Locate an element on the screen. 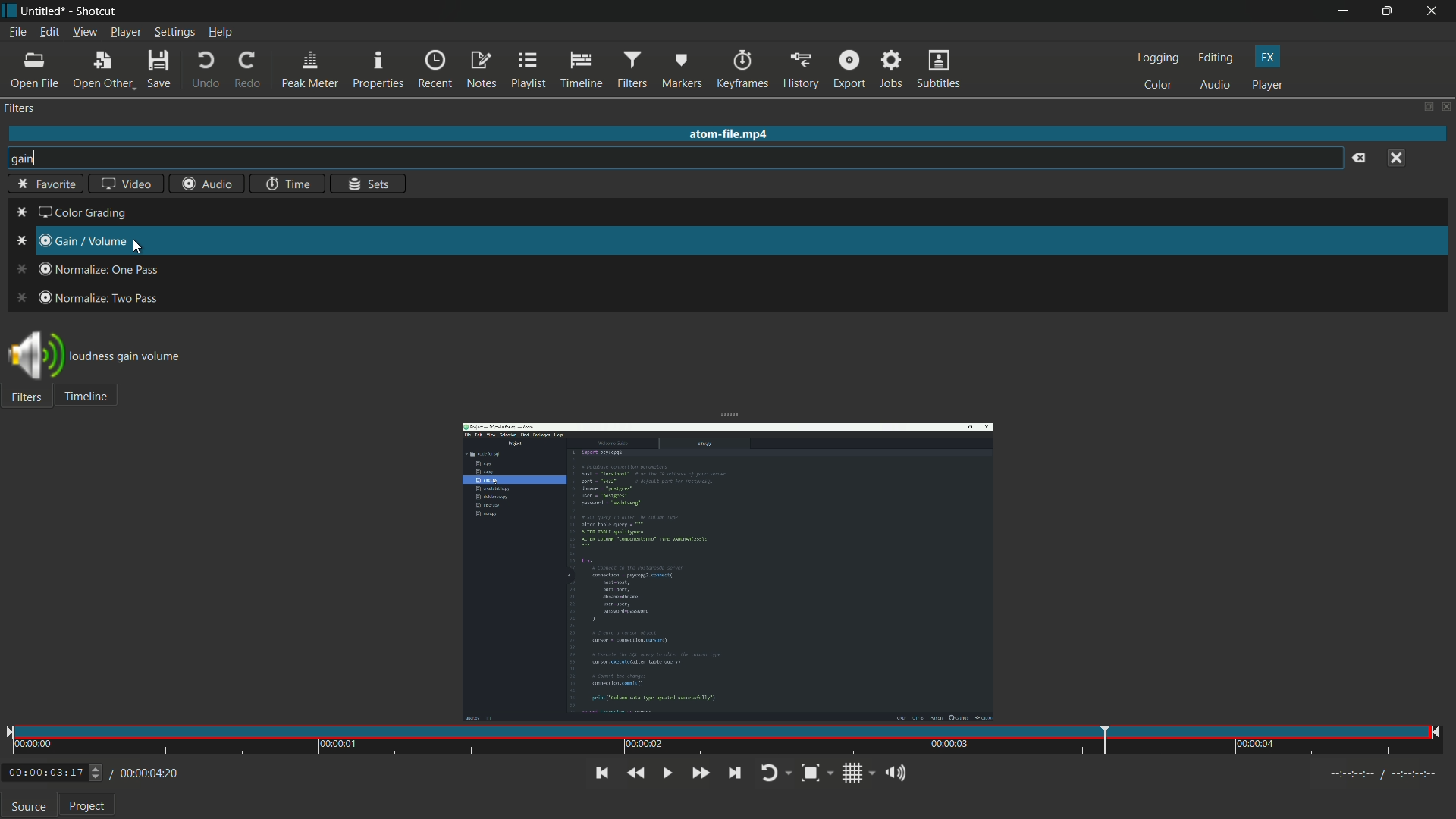 This screenshot has width=1456, height=819. redo is located at coordinates (249, 71).